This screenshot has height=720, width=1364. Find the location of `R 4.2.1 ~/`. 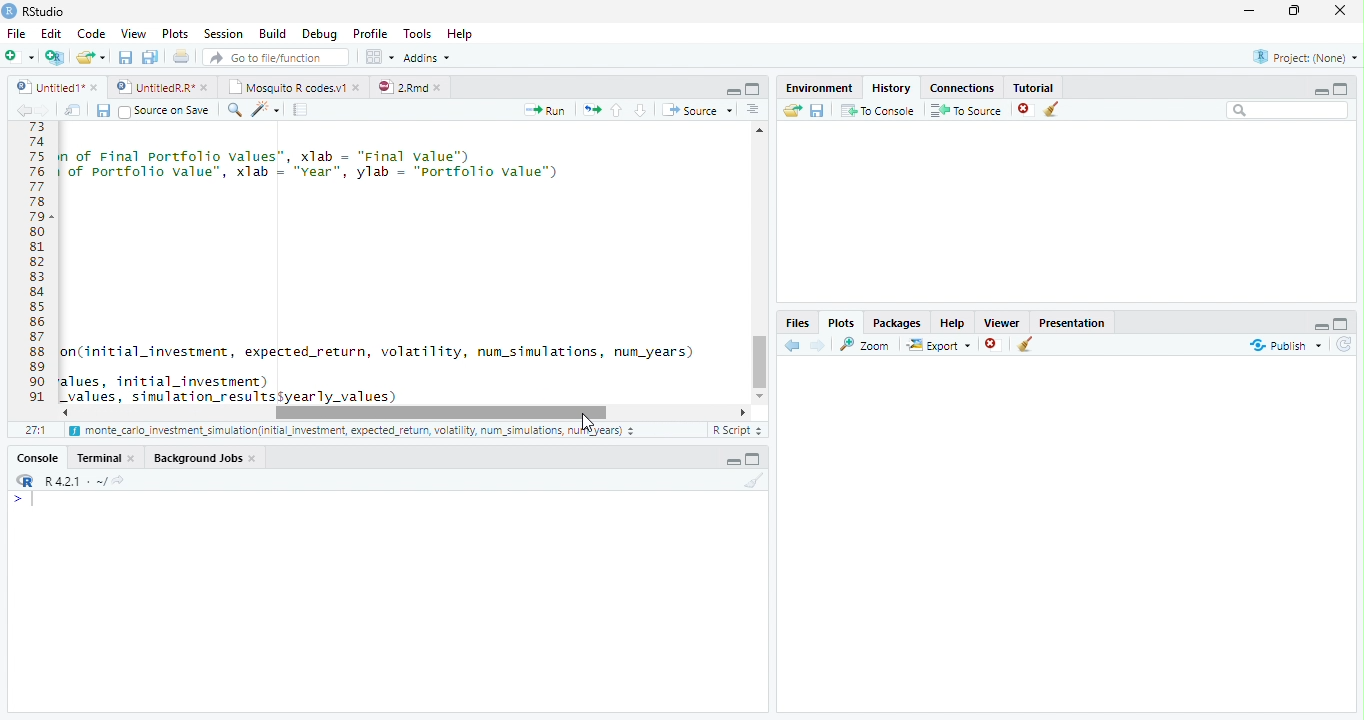

R 4.2.1 ~/ is located at coordinates (67, 479).